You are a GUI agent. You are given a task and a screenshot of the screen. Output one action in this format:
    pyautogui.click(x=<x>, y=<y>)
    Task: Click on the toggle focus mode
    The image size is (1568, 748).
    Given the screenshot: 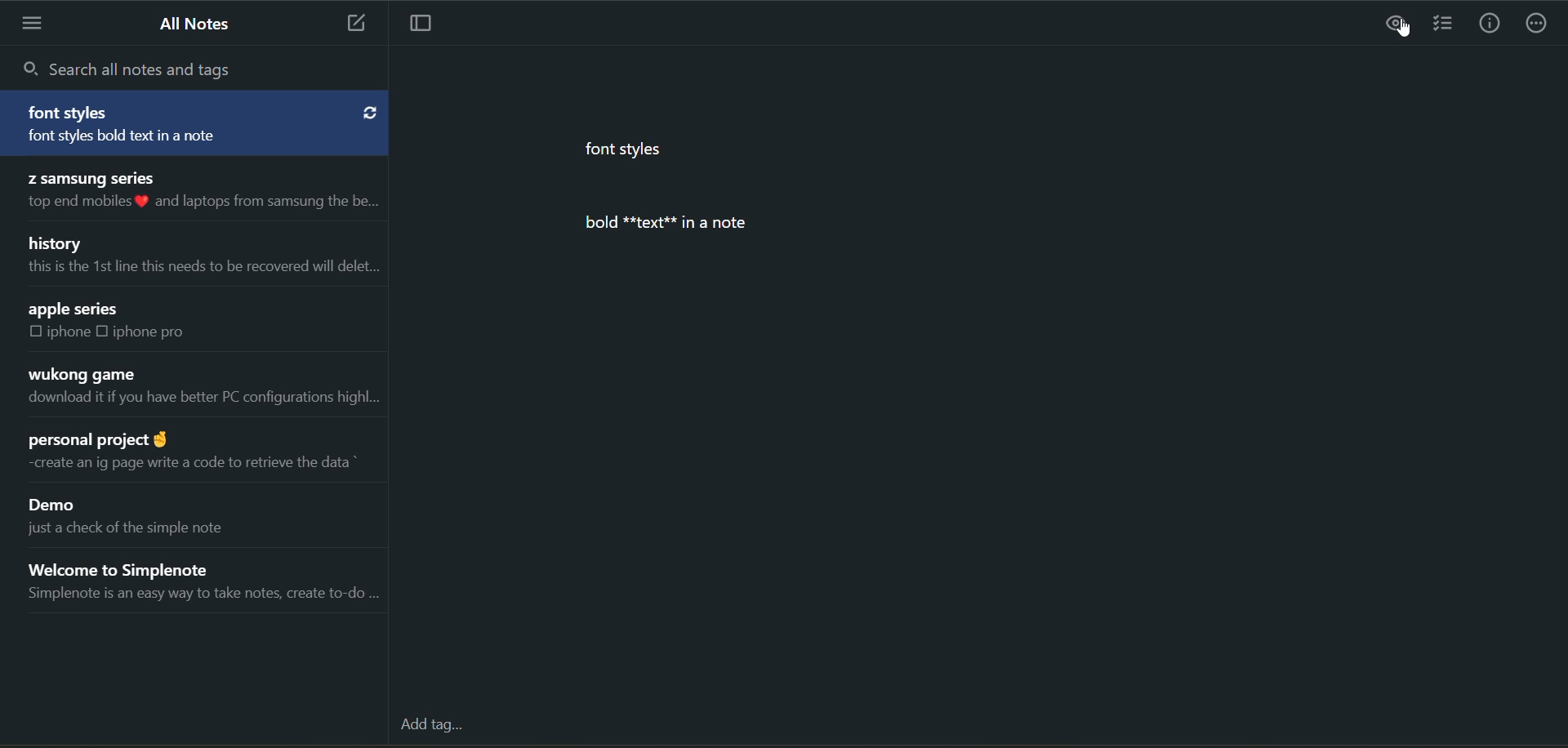 What is the action you would take?
    pyautogui.click(x=429, y=24)
    